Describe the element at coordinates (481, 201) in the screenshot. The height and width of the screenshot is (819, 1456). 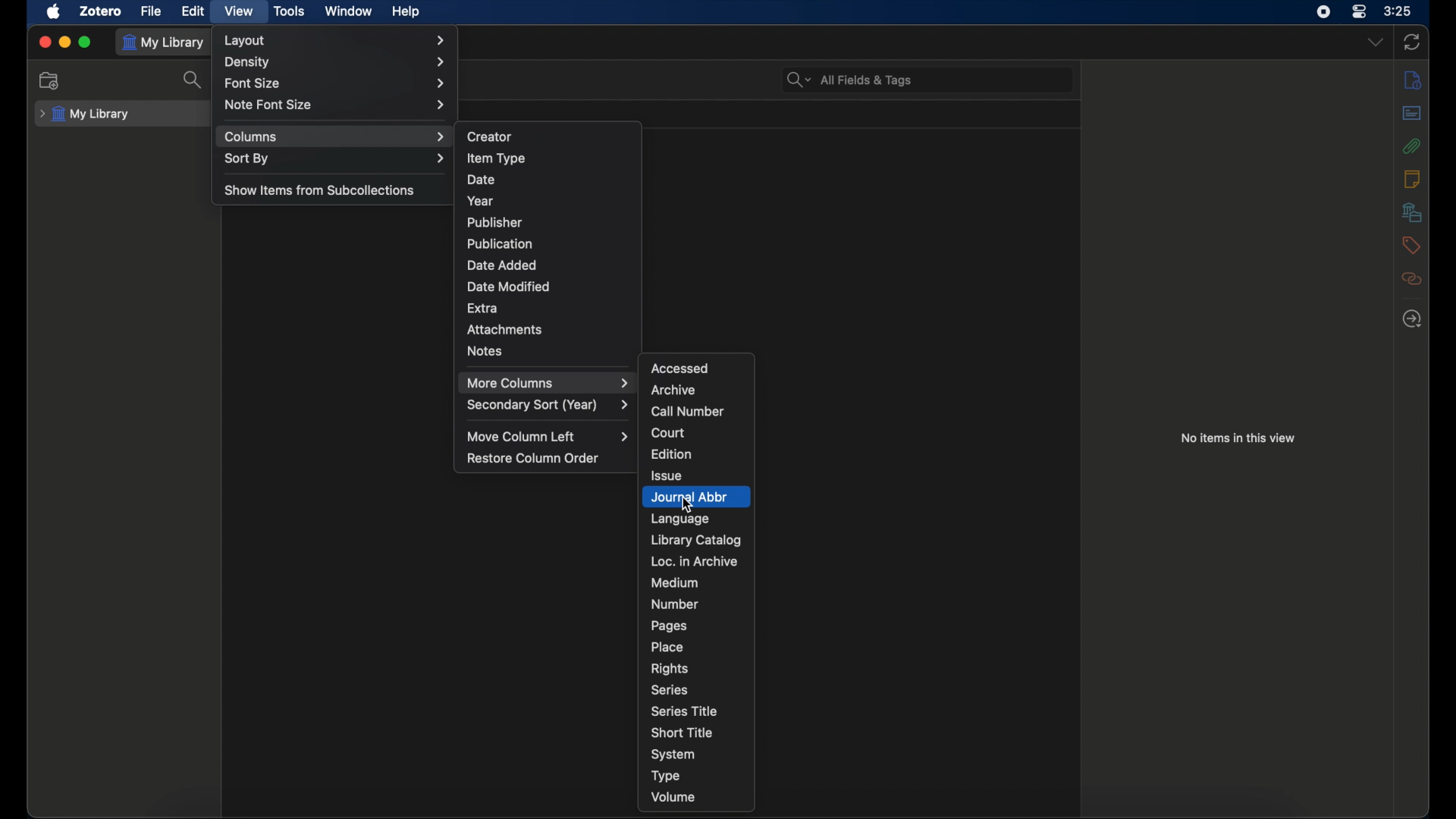
I see `year` at that location.